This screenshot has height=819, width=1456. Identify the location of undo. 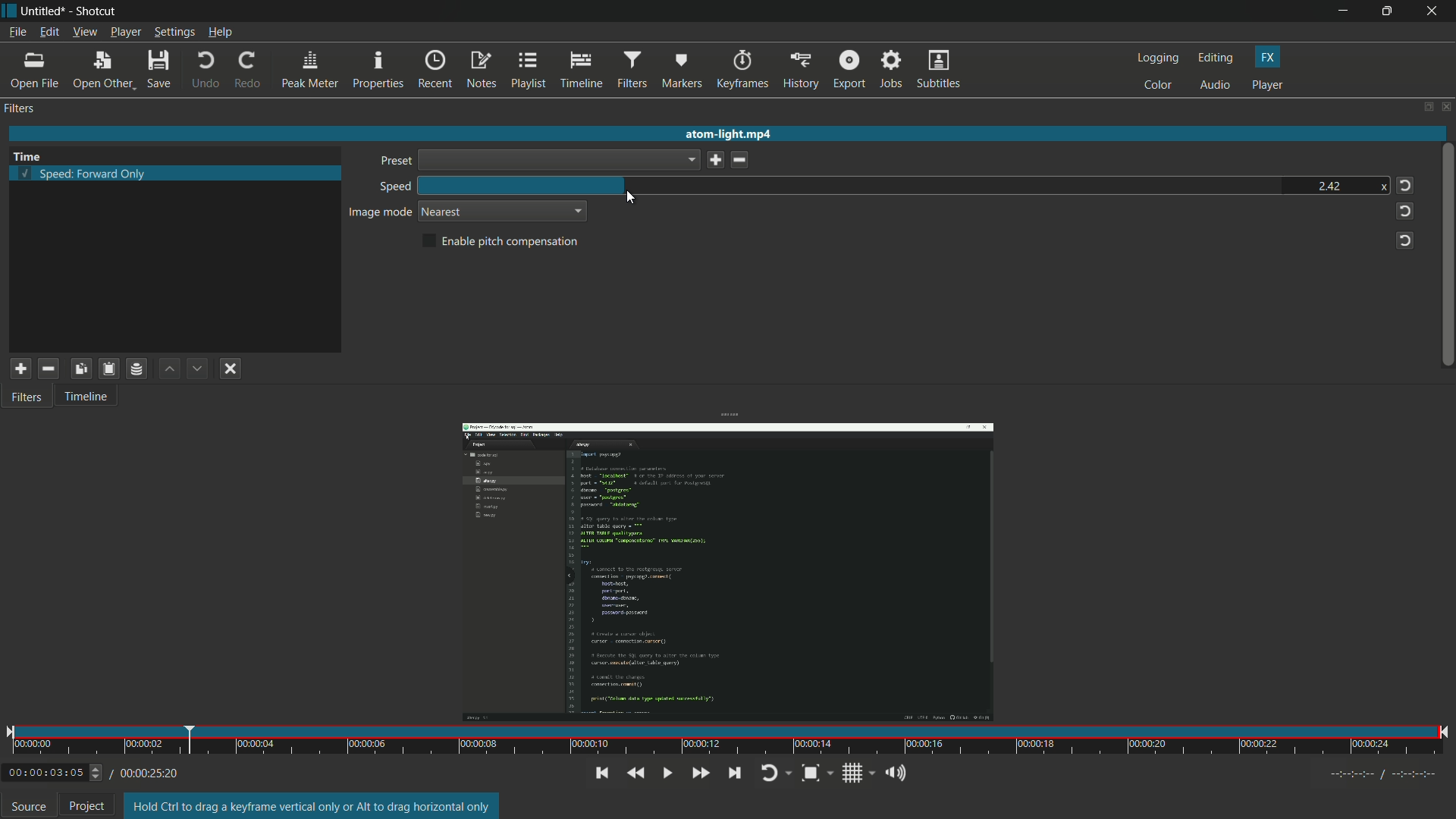
(206, 71).